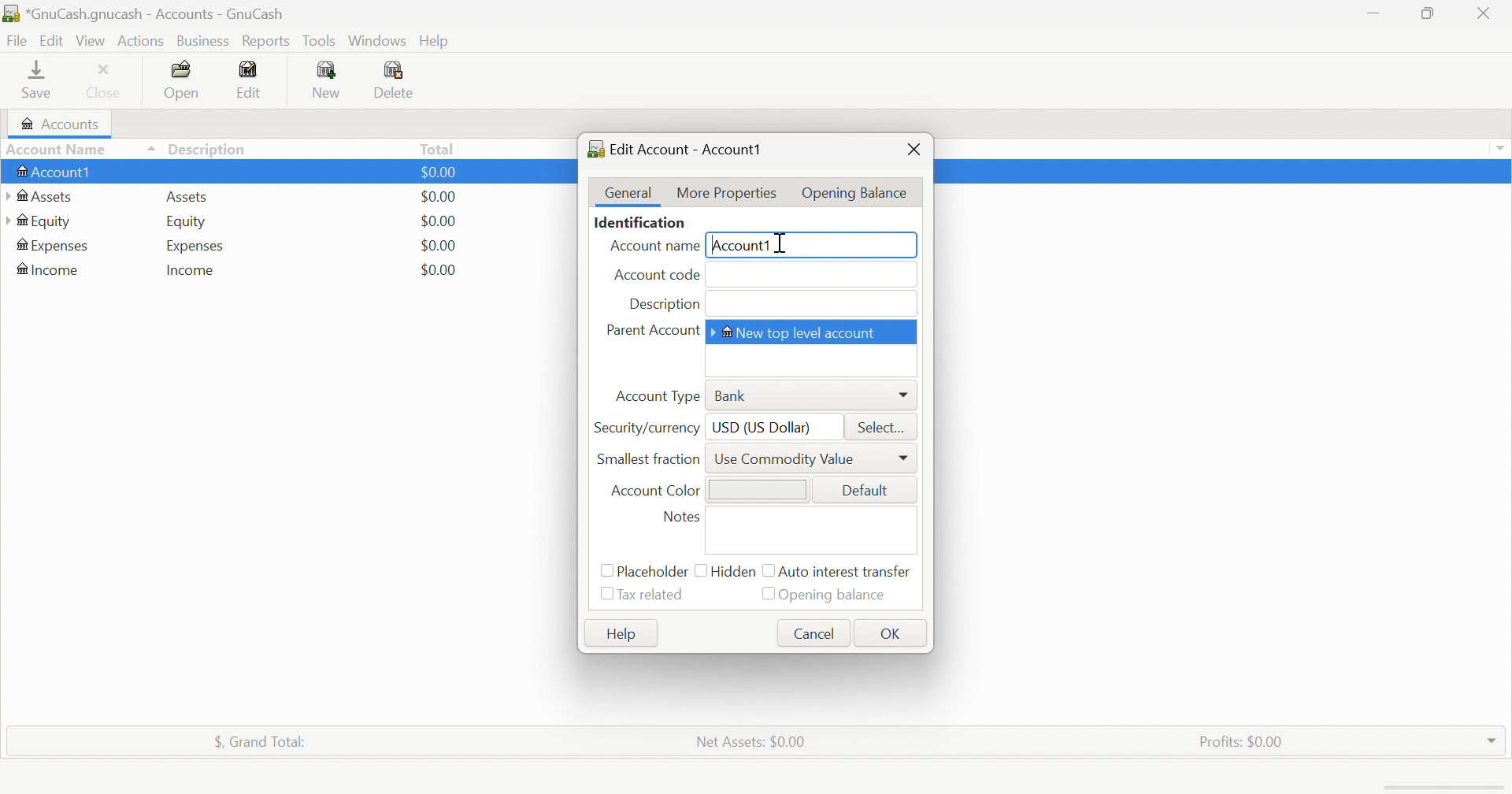 The height and width of the screenshot is (794, 1512). I want to click on Close, so click(107, 80).